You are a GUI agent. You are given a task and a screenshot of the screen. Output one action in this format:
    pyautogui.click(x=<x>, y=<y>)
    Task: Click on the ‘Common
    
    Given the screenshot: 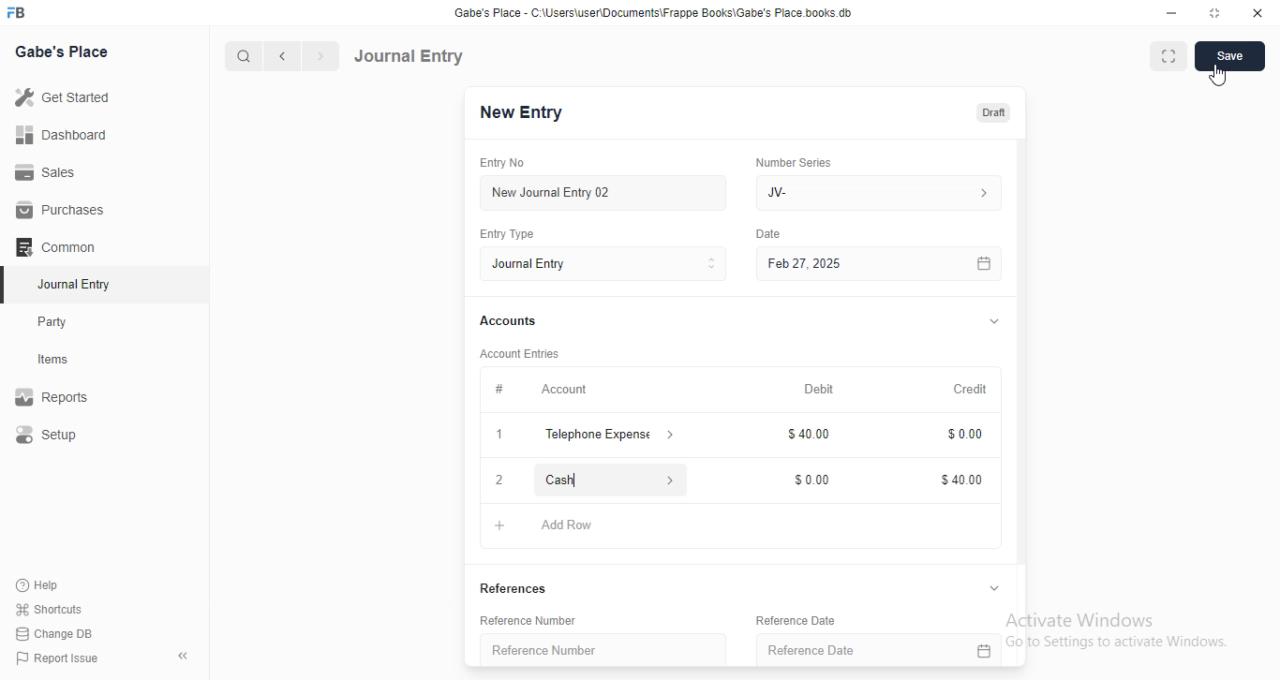 What is the action you would take?
    pyautogui.click(x=57, y=246)
    